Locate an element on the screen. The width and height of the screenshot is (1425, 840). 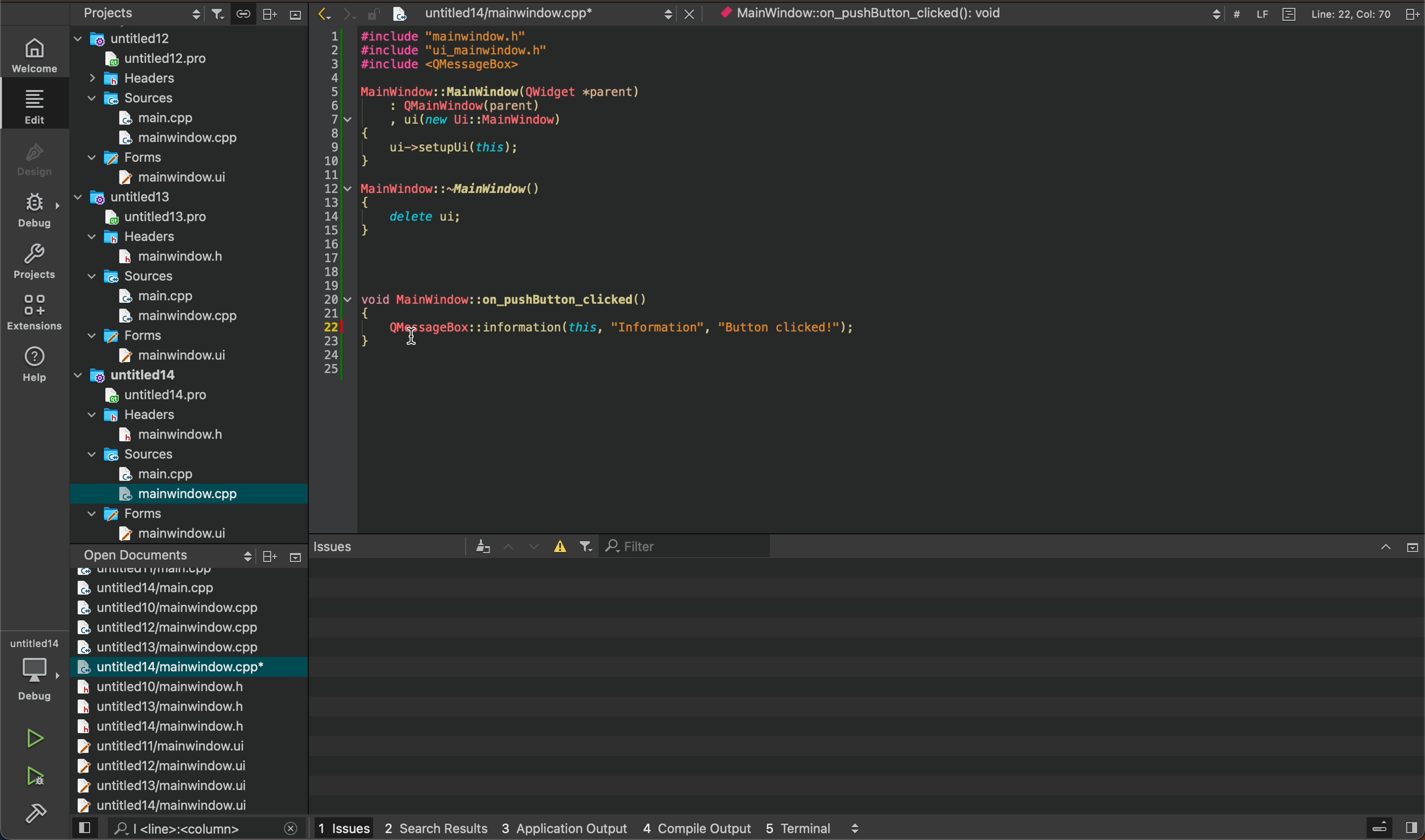
untitled13 is located at coordinates (142, 196).